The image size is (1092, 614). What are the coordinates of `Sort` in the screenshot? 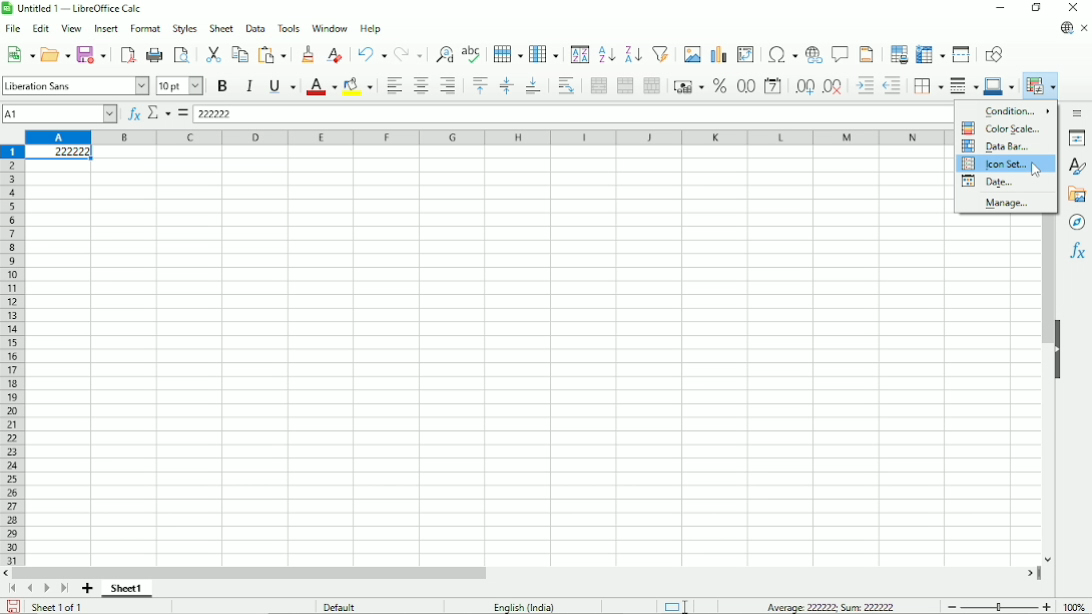 It's located at (580, 53).